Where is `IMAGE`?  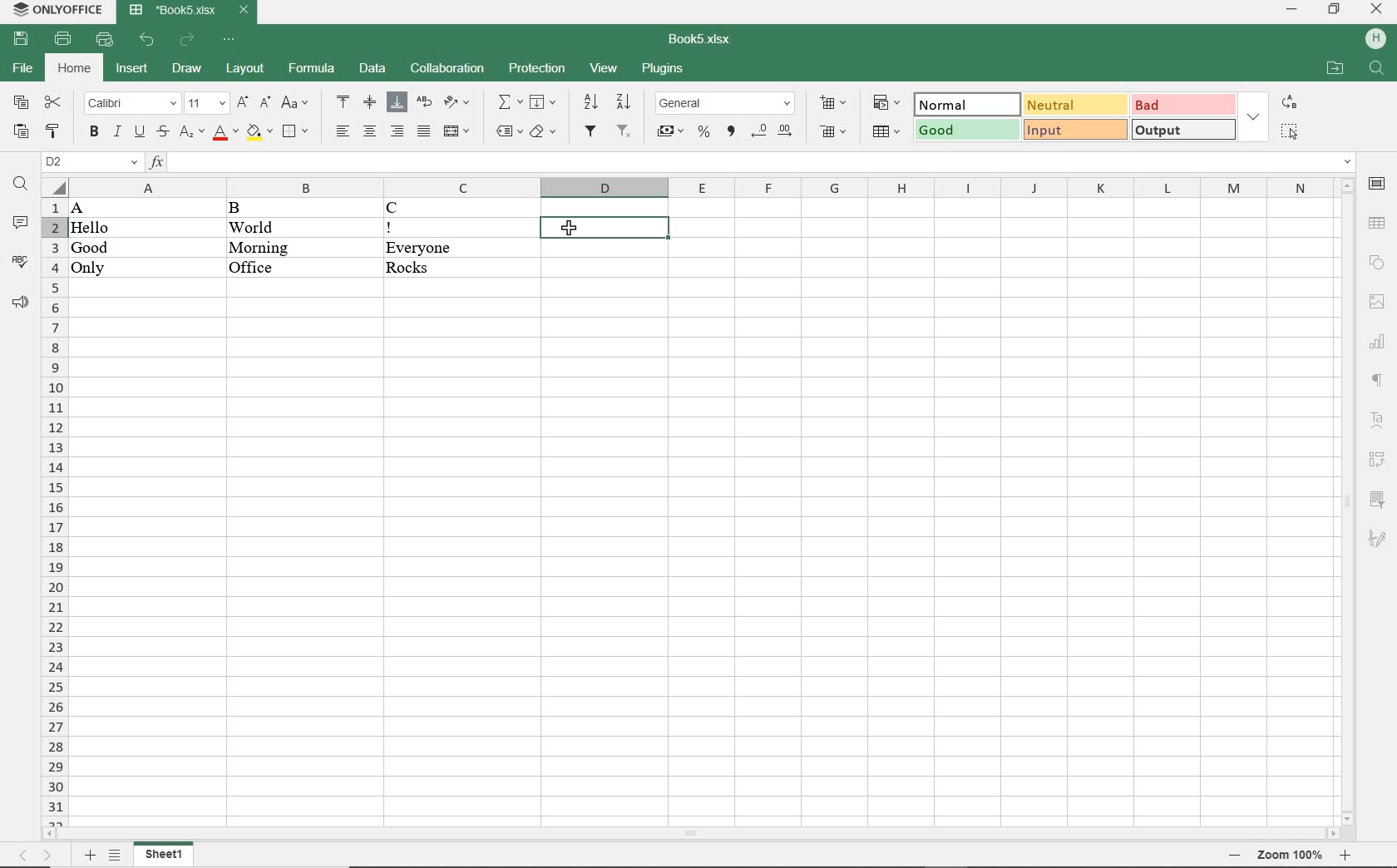 IMAGE is located at coordinates (1377, 300).